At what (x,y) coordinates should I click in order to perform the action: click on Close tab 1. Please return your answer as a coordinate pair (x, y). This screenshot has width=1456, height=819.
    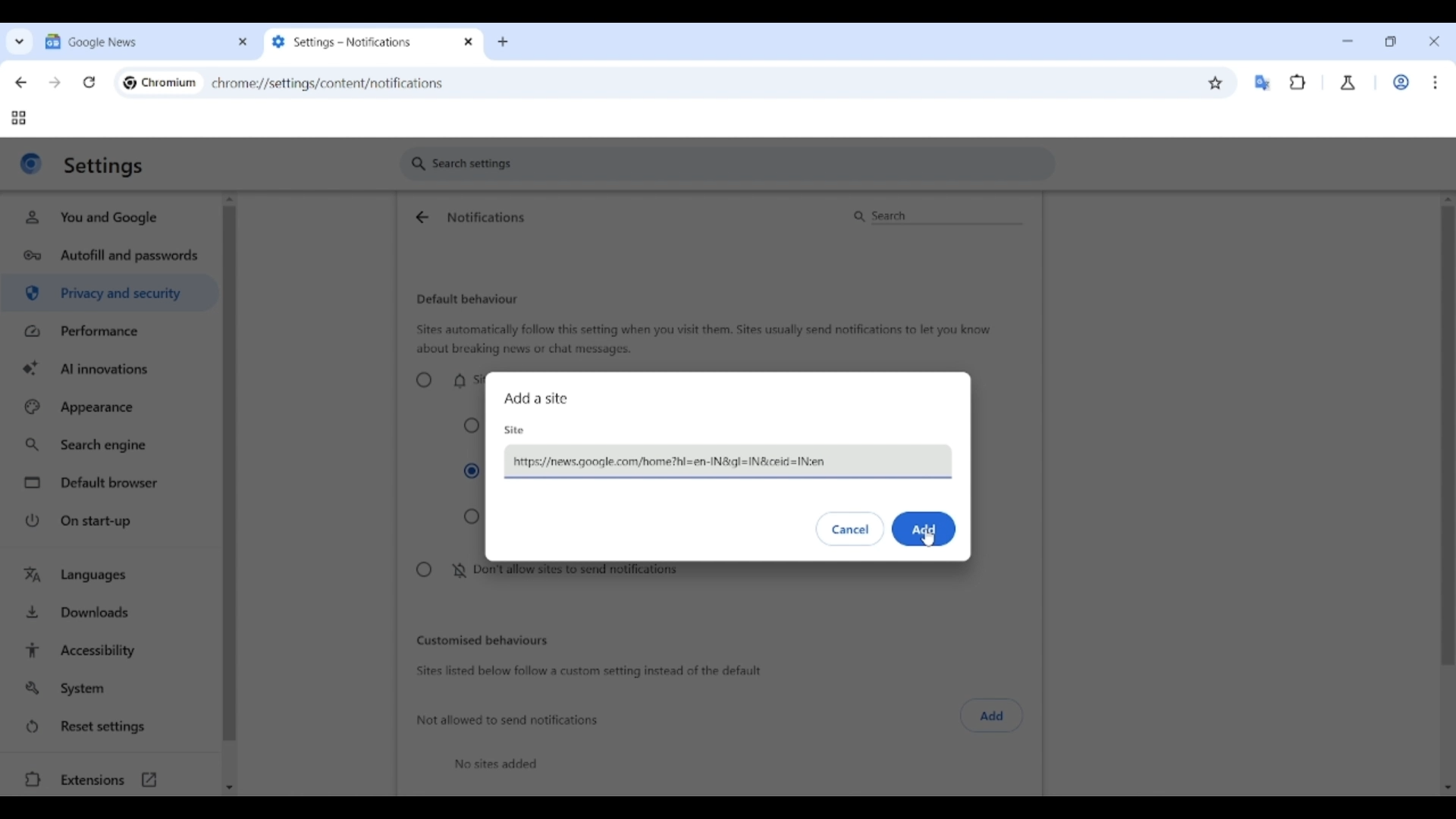
    Looking at the image, I should click on (243, 42).